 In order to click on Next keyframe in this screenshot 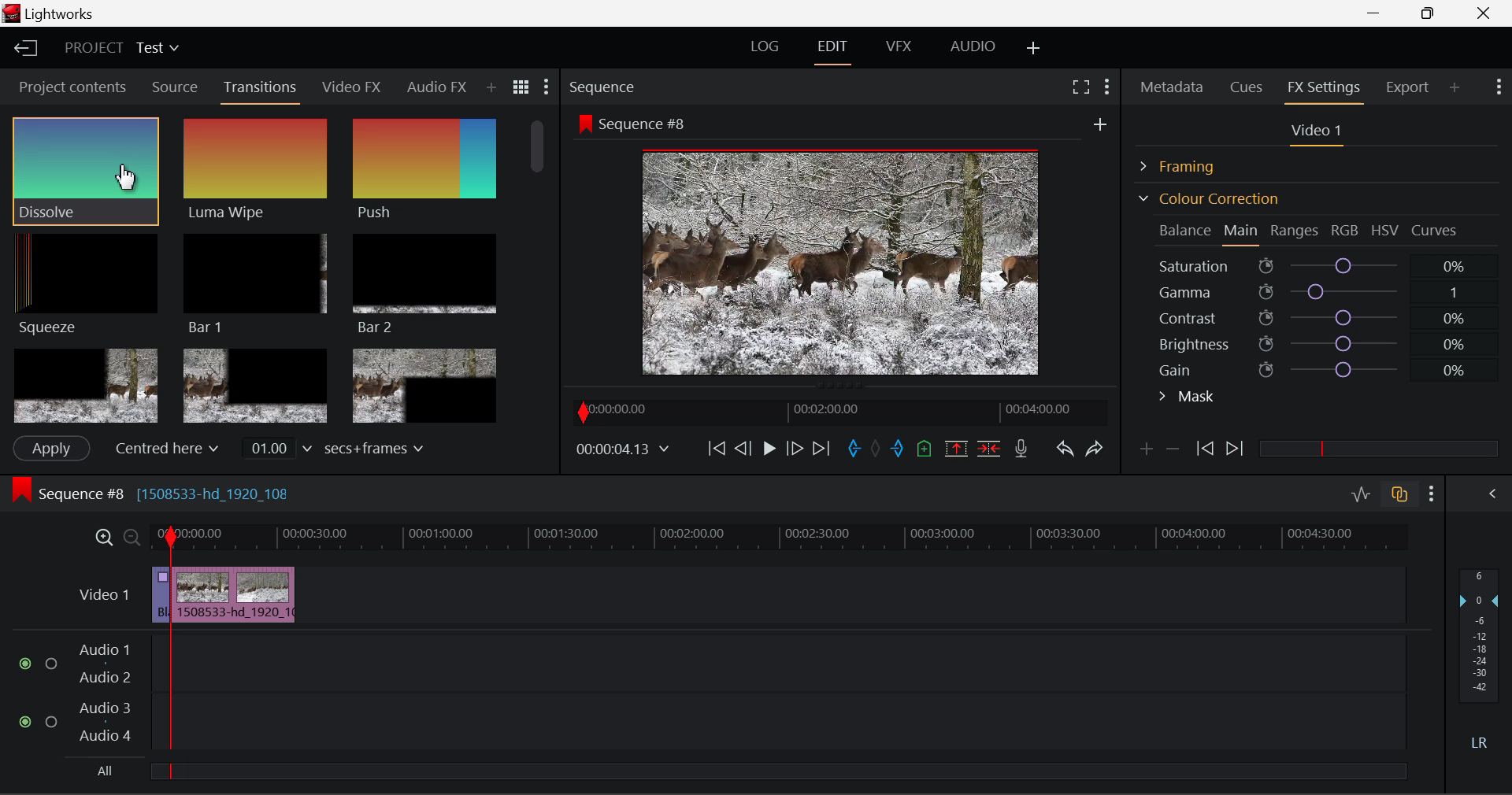, I will do `click(1236, 449)`.